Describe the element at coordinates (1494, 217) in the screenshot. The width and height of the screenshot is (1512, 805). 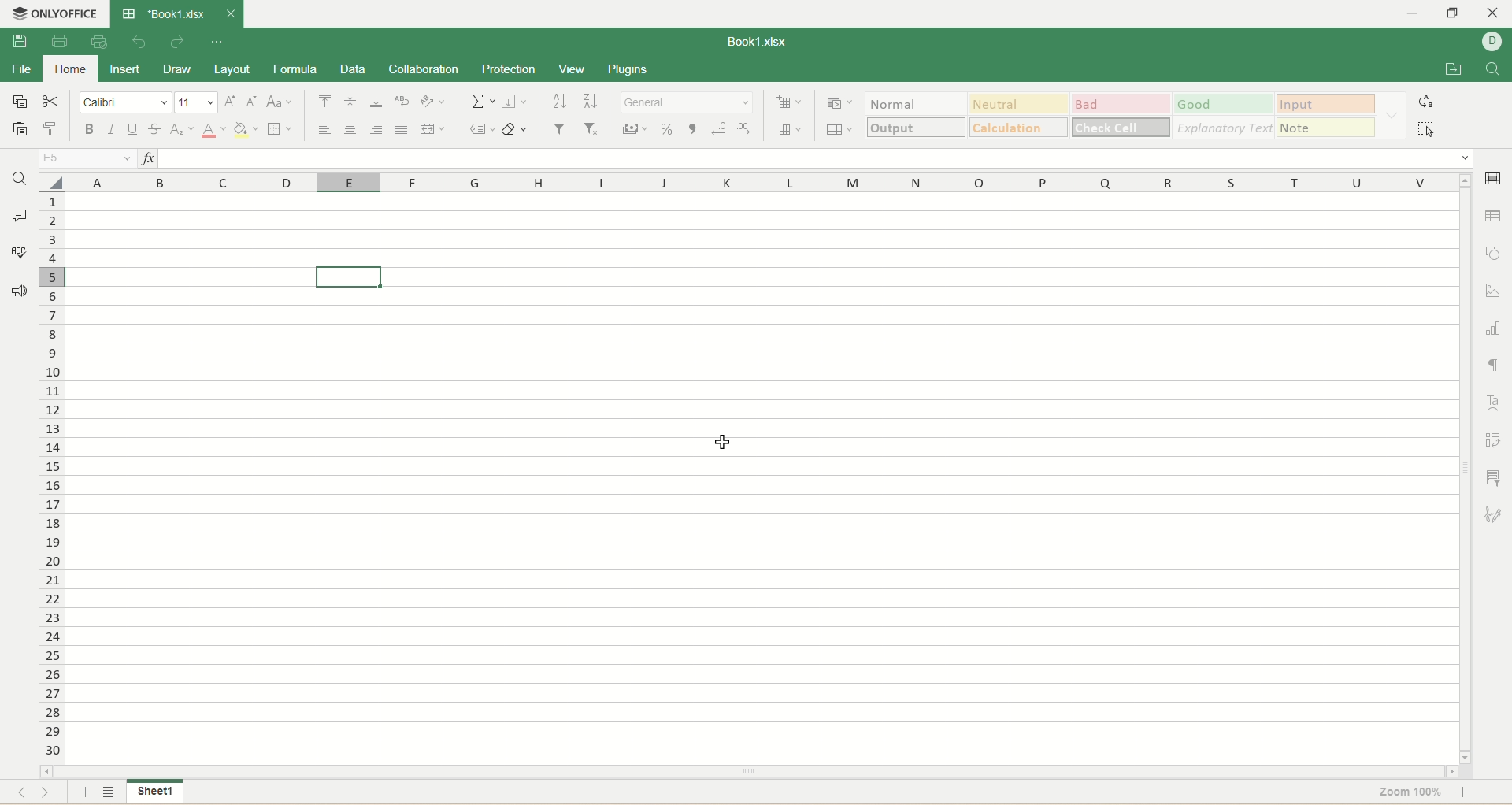
I see `table settings` at that location.